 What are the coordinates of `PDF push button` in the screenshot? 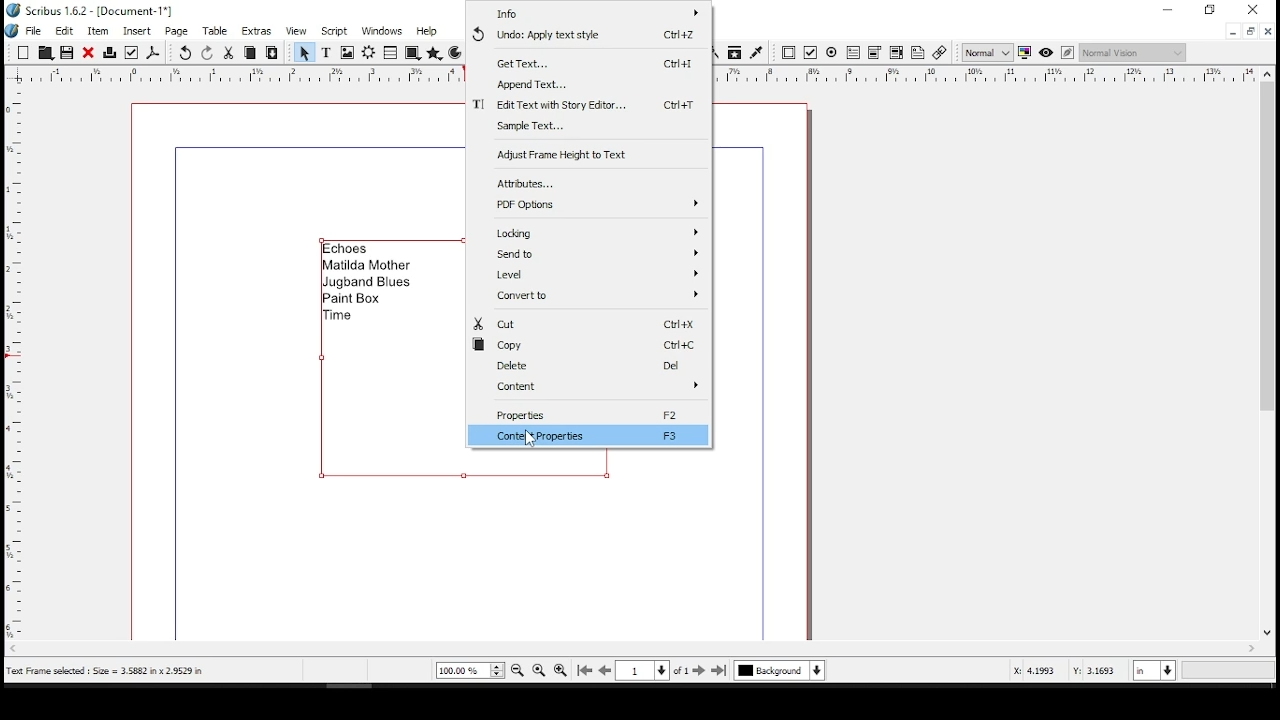 It's located at (789, 52).